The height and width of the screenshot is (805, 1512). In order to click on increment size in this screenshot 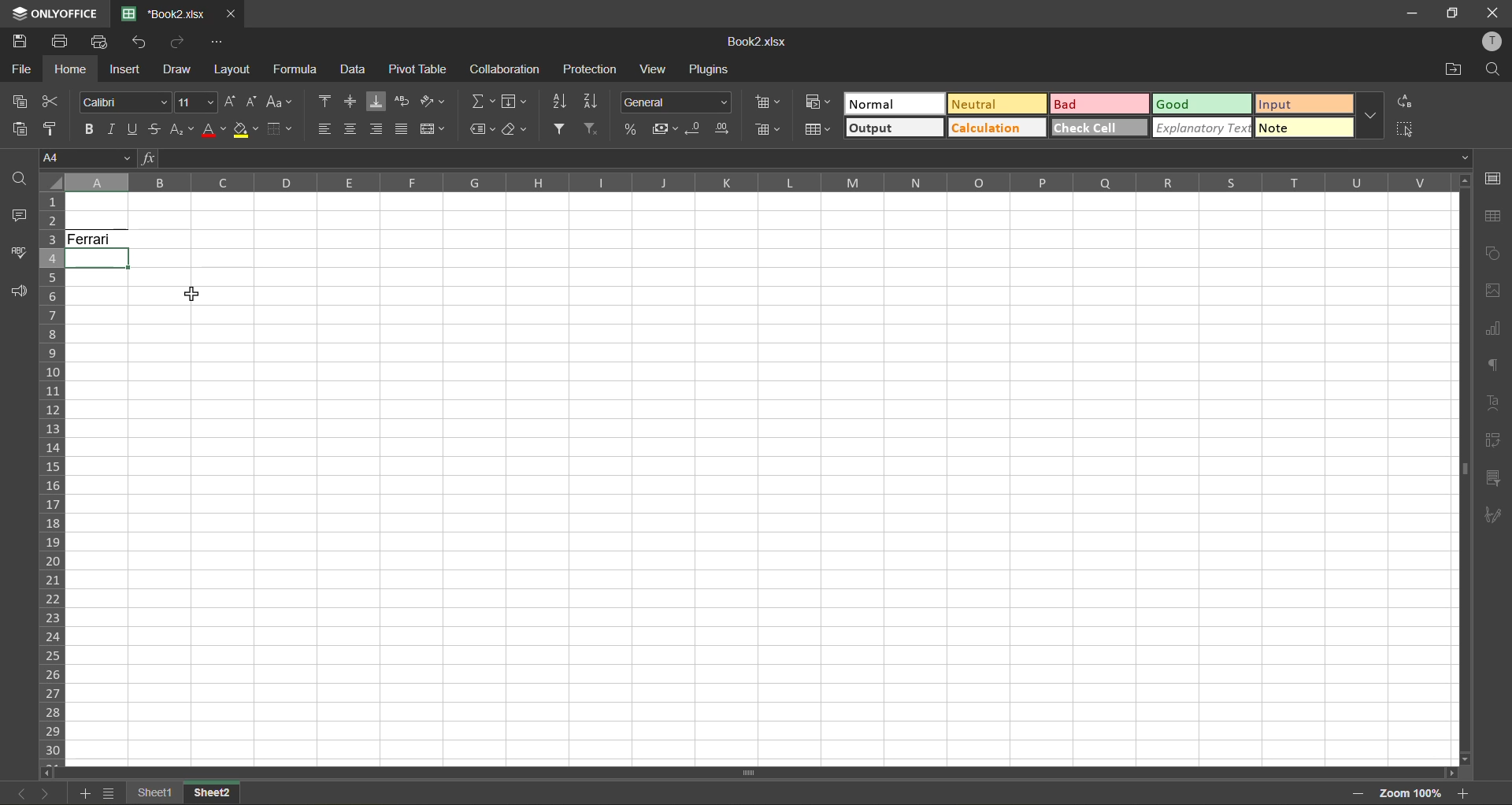, I will do `click(232, 101)`.